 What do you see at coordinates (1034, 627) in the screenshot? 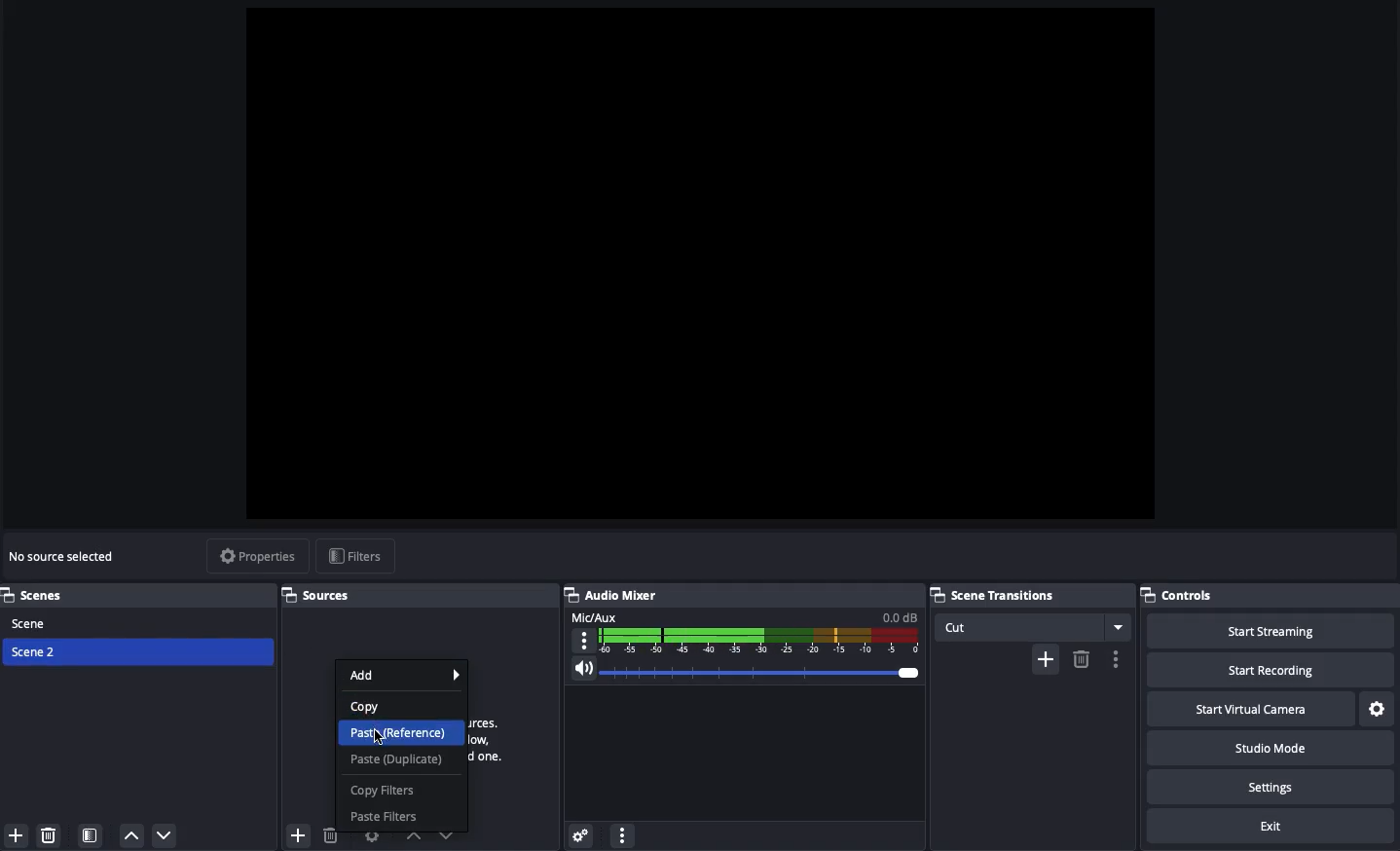
I see `Cut` at bounding box center [1034, 627].